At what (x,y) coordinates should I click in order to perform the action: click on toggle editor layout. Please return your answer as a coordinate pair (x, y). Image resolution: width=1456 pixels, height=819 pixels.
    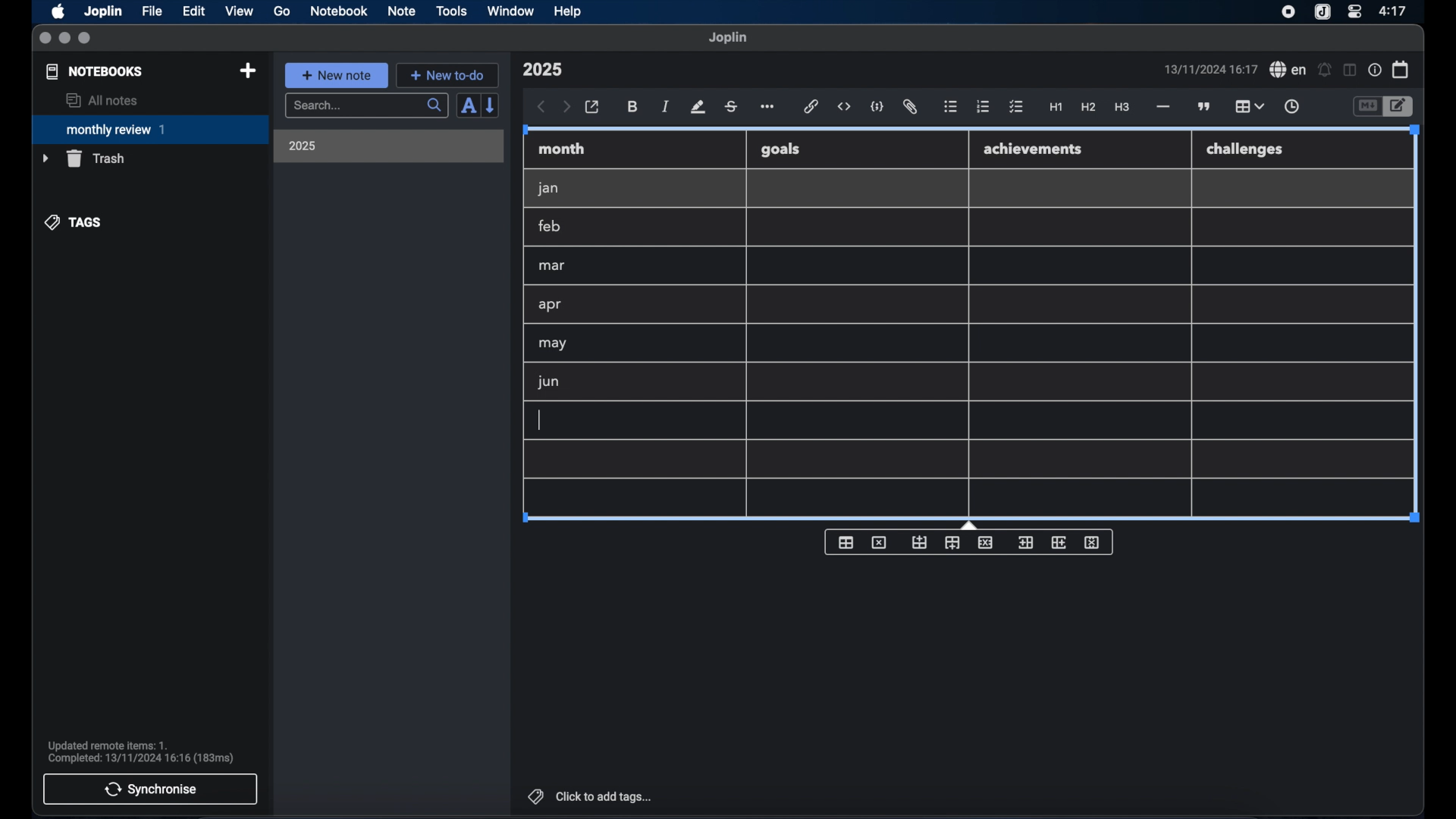
    Looking at the image, I should click on (1351, 70).